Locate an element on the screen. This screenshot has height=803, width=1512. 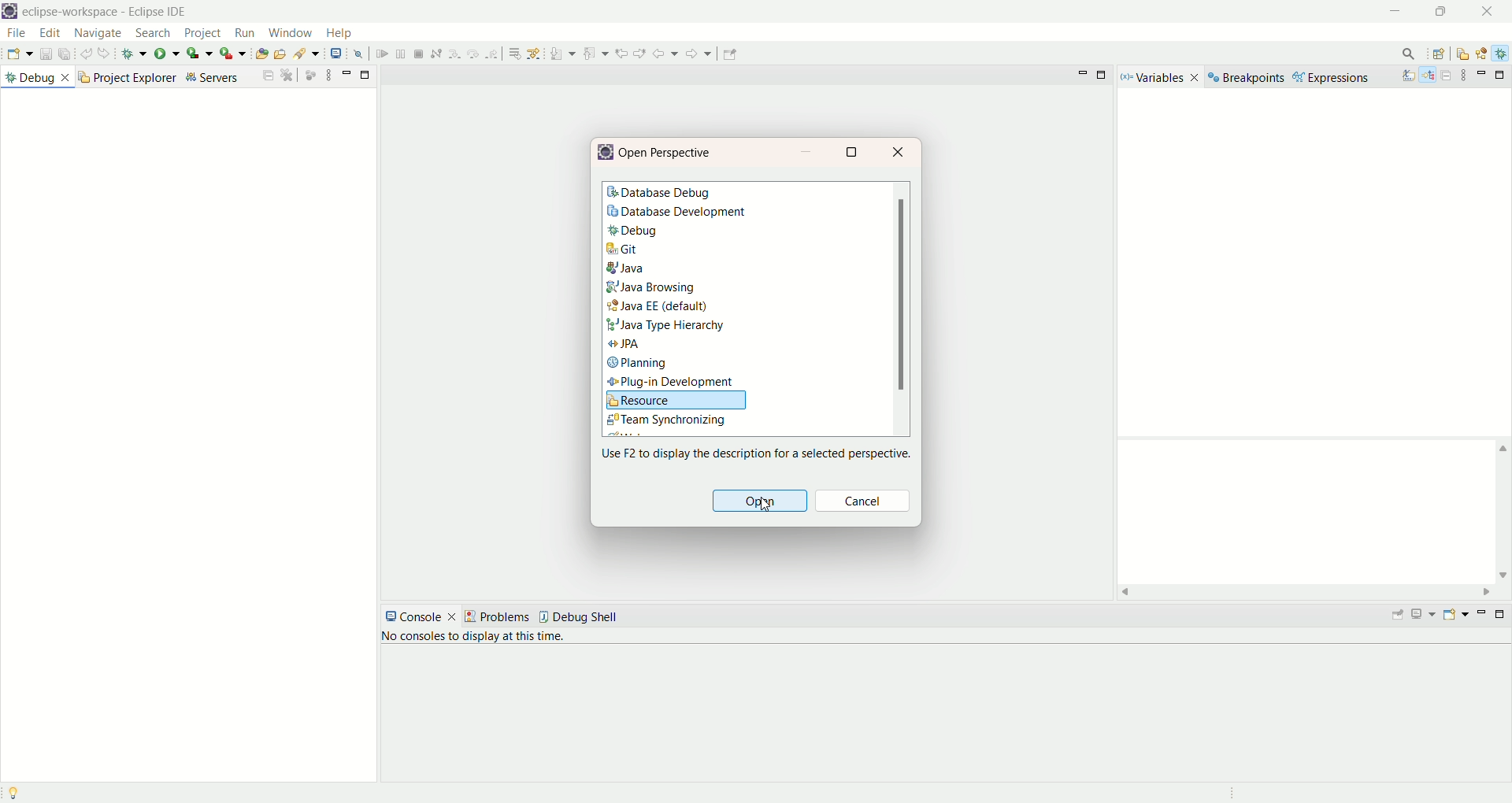
servers is located at coordinates (217, 77).